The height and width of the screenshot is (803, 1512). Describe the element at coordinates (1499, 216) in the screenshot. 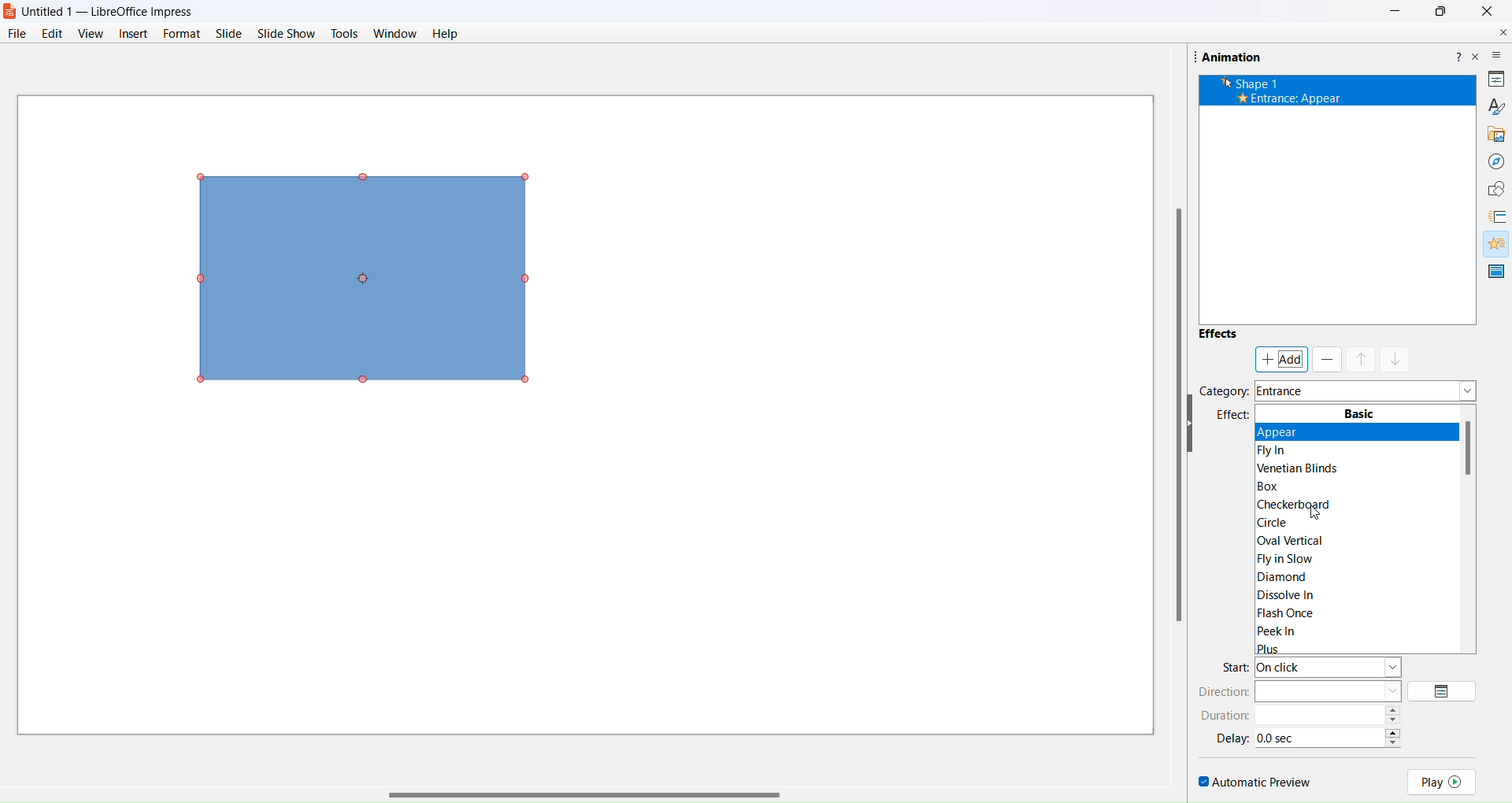

I see `slide transition` at that location.